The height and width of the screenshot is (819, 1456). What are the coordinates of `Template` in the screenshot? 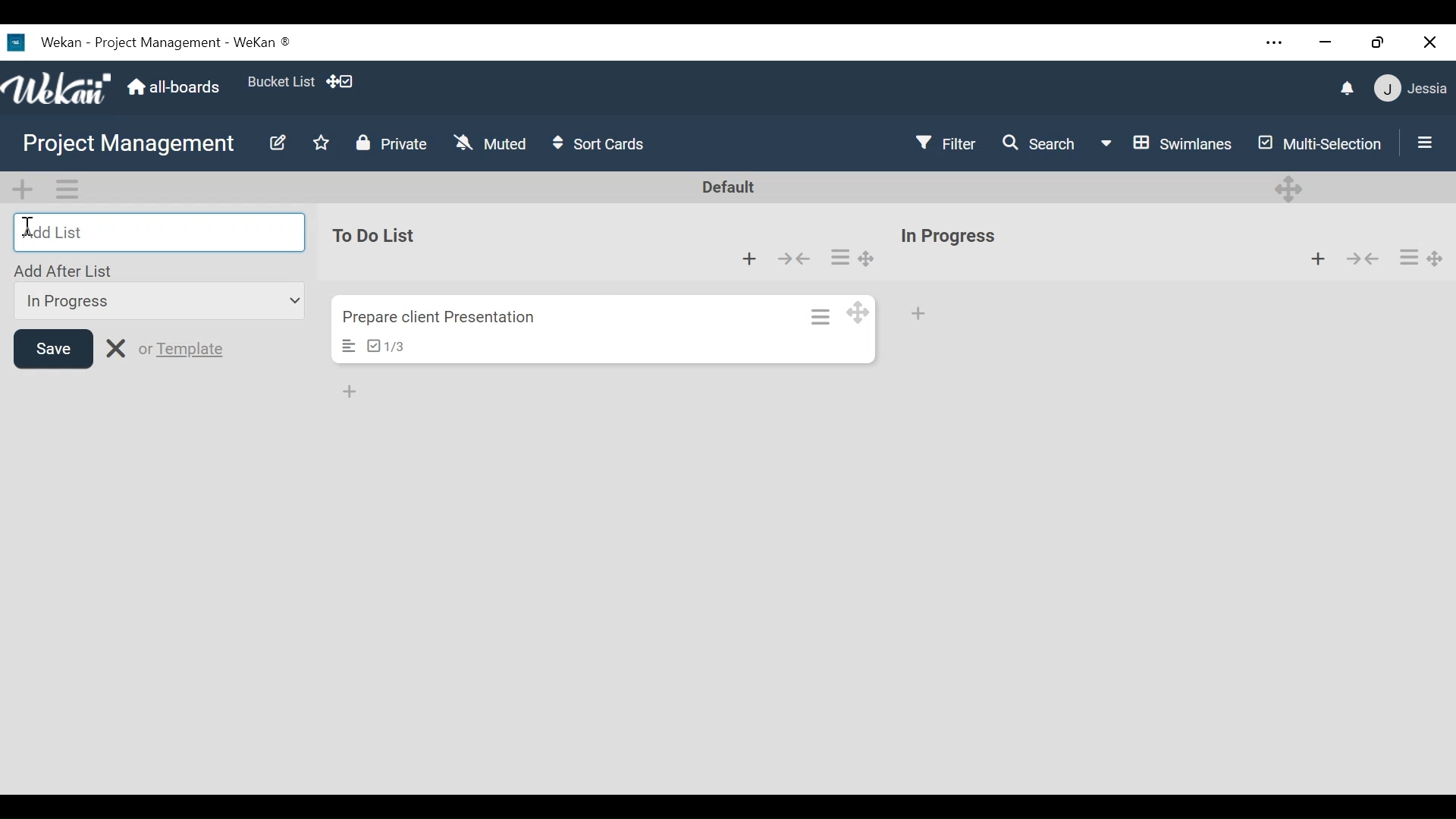 It's located at (194, 351).